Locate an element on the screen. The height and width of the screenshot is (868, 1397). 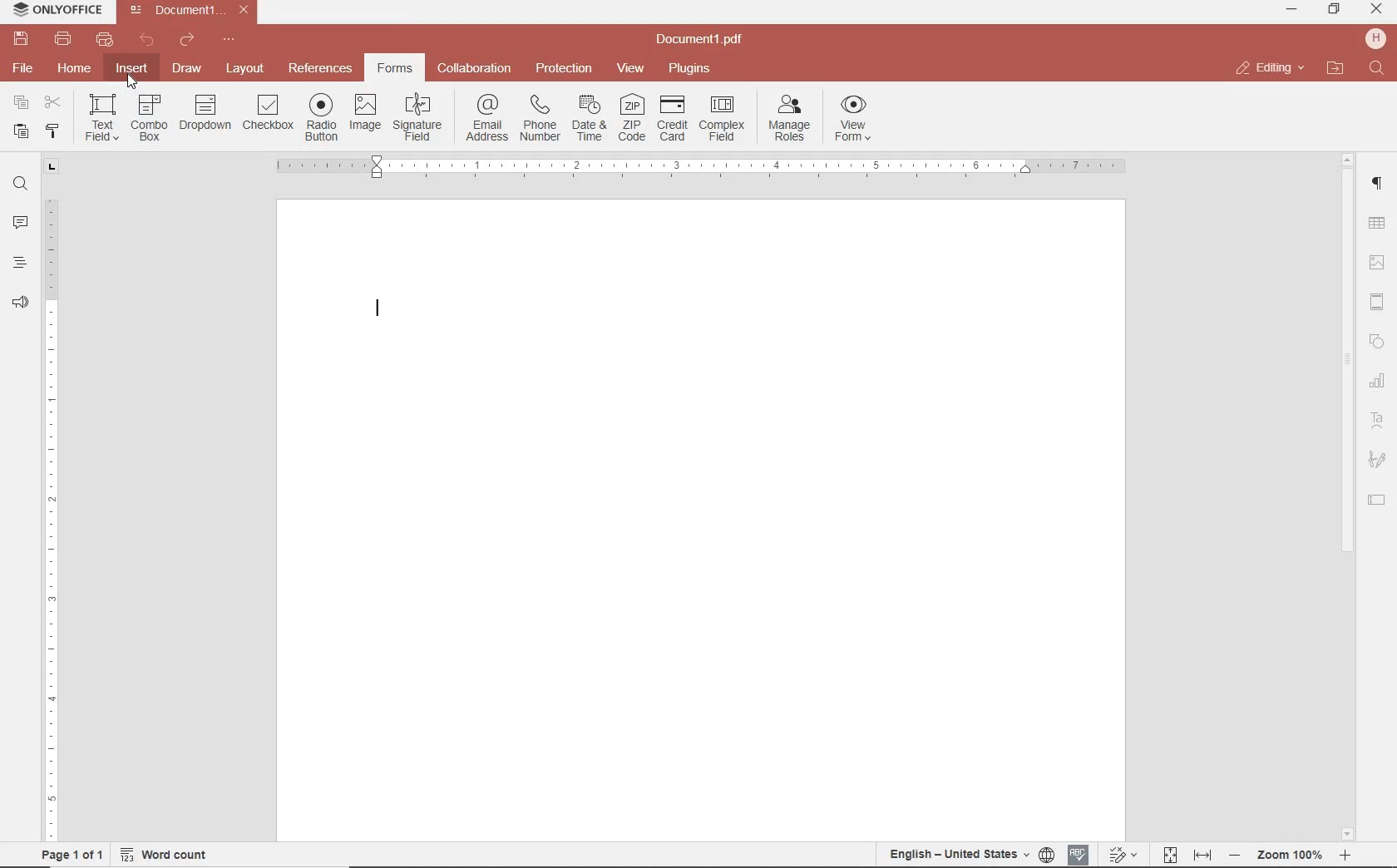
CHART is located at coordinates (1378, 382).